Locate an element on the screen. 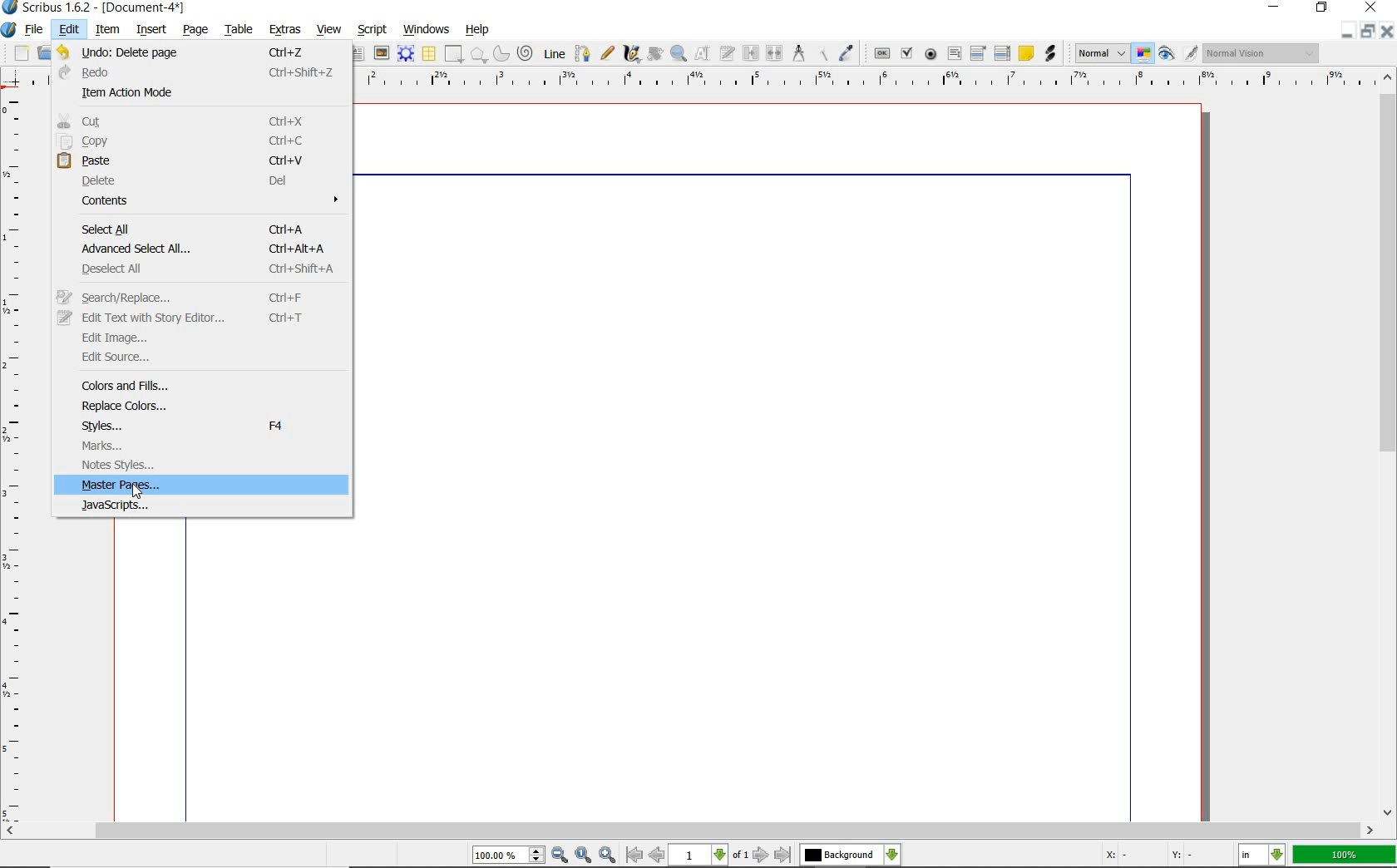  redo is located at coordinates (203, 71).